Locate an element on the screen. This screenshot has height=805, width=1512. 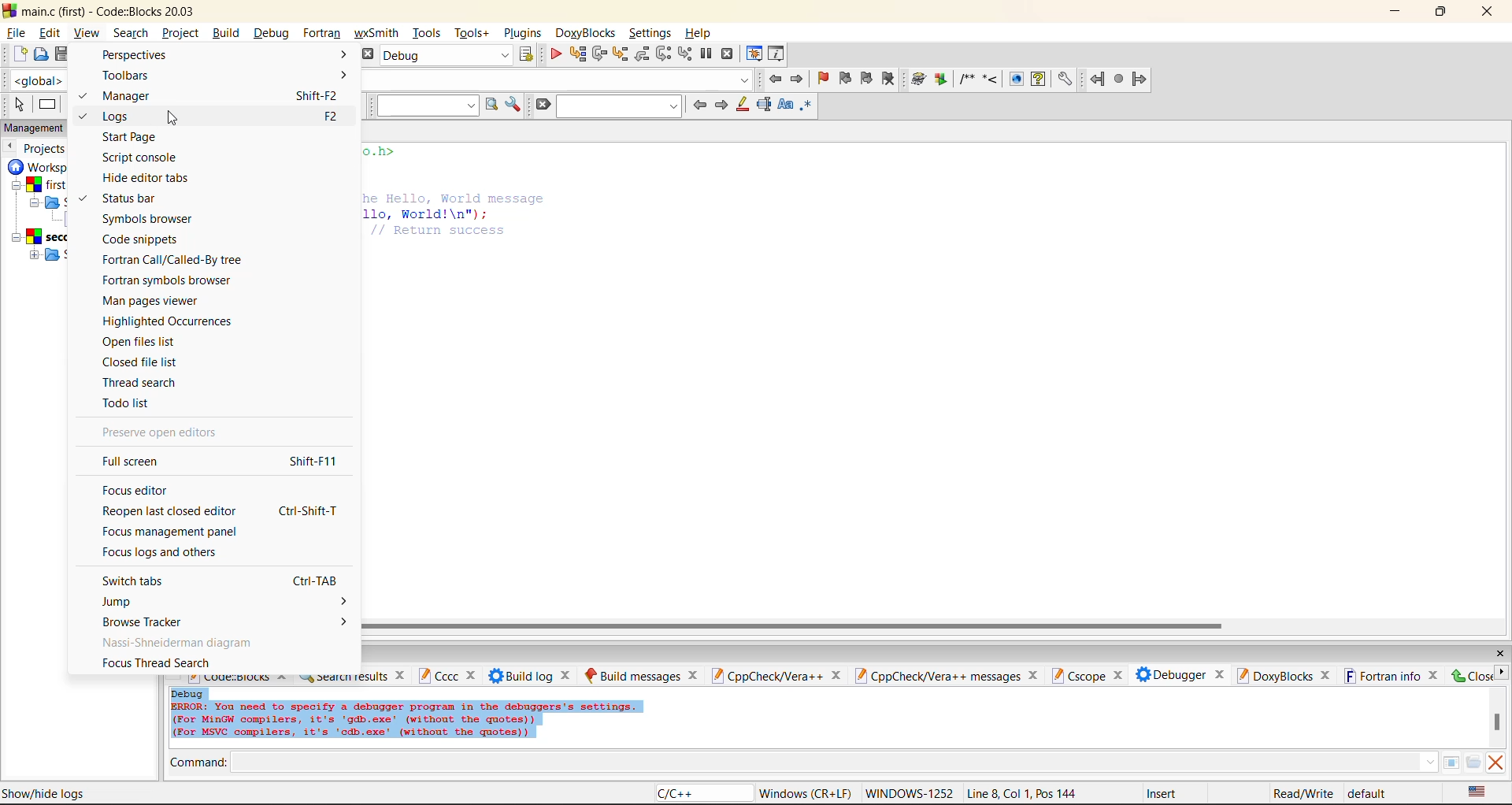
clear bookmarks is located at coordinates (892, 80).